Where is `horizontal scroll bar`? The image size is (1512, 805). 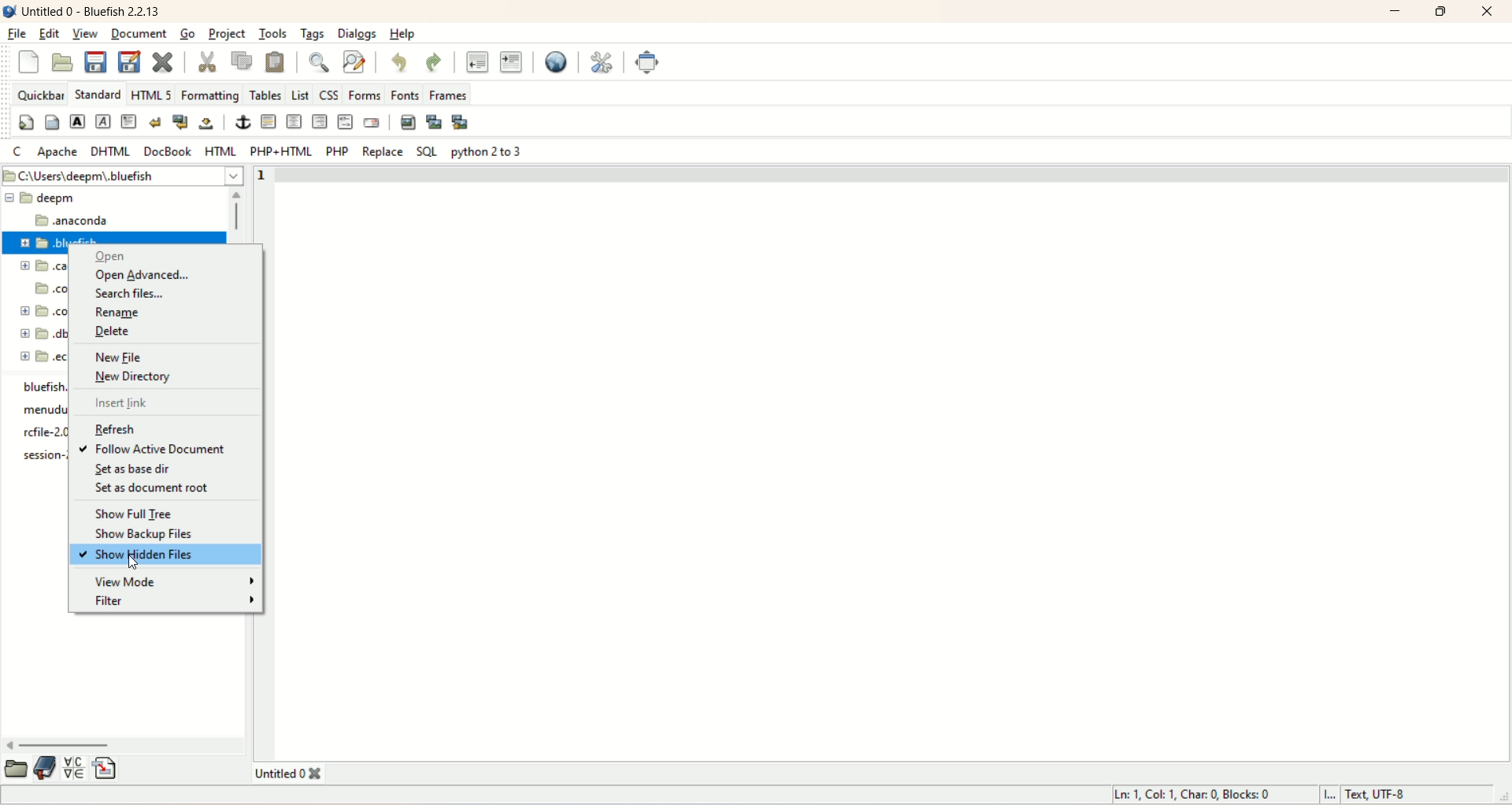 horizontal scroll bar is located at coordinates (124, 742).